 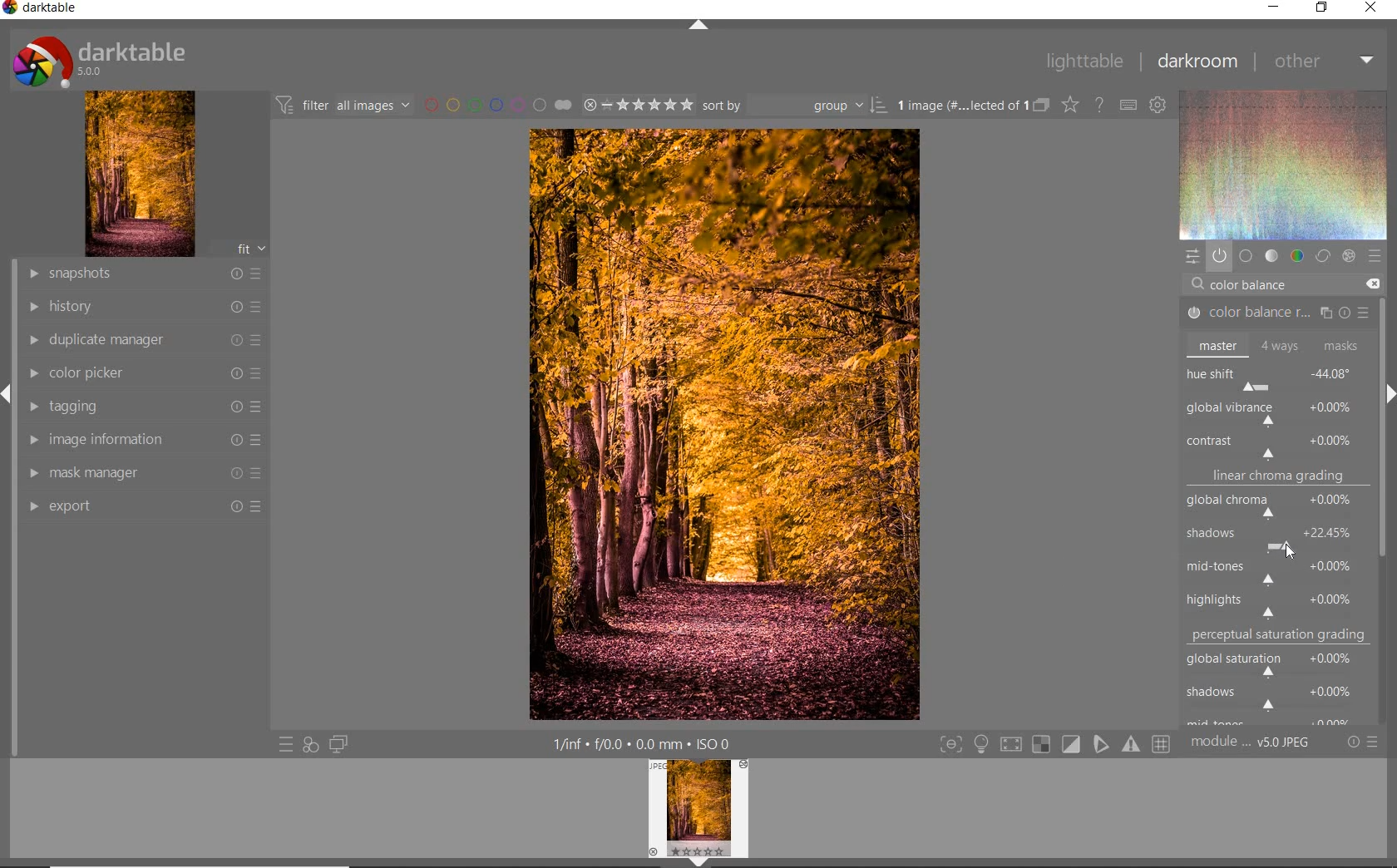 I want to click on other interface detail, so click(x=644, y=744).